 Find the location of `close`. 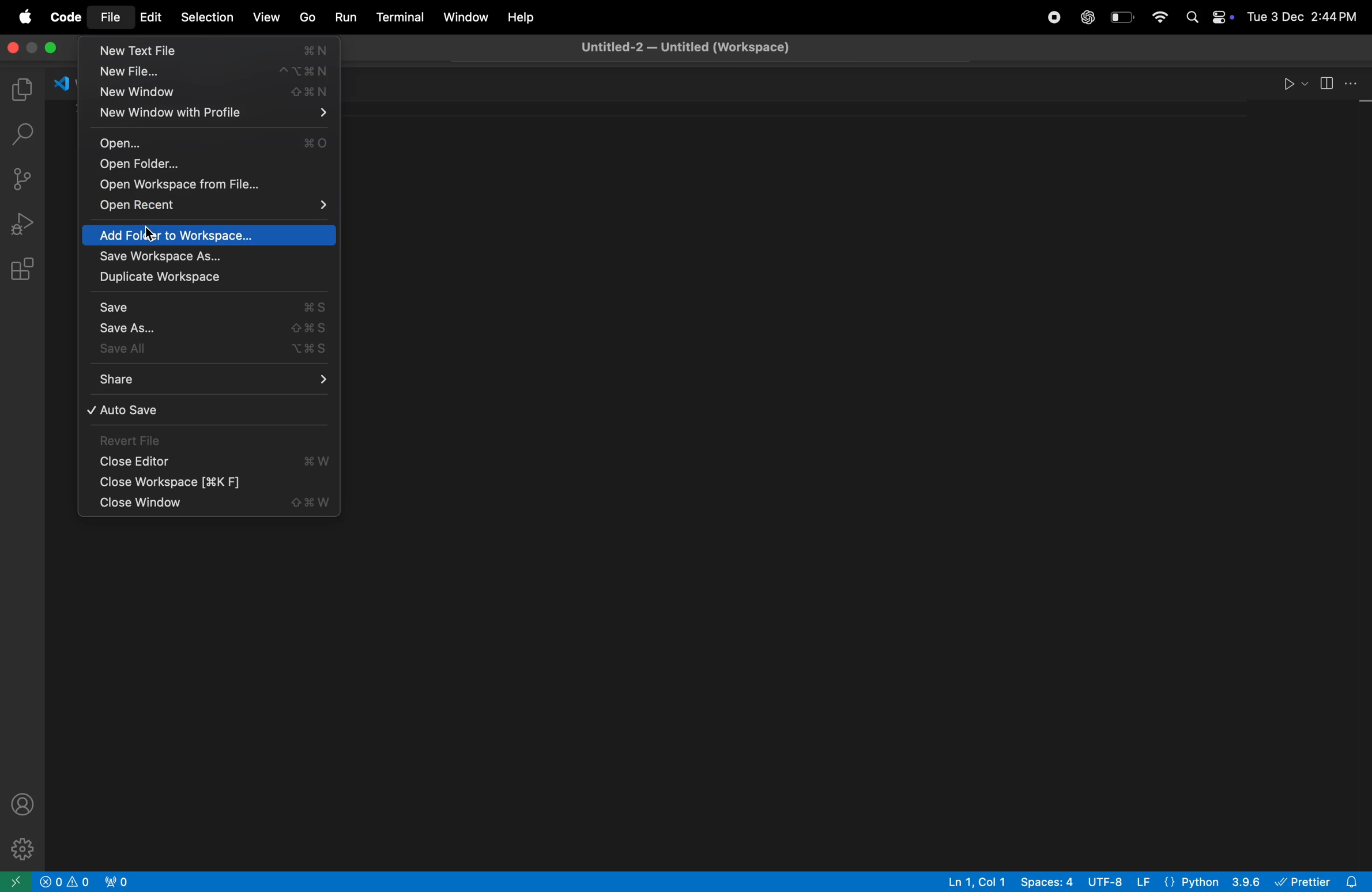

close is located at coordinates (12, 48).